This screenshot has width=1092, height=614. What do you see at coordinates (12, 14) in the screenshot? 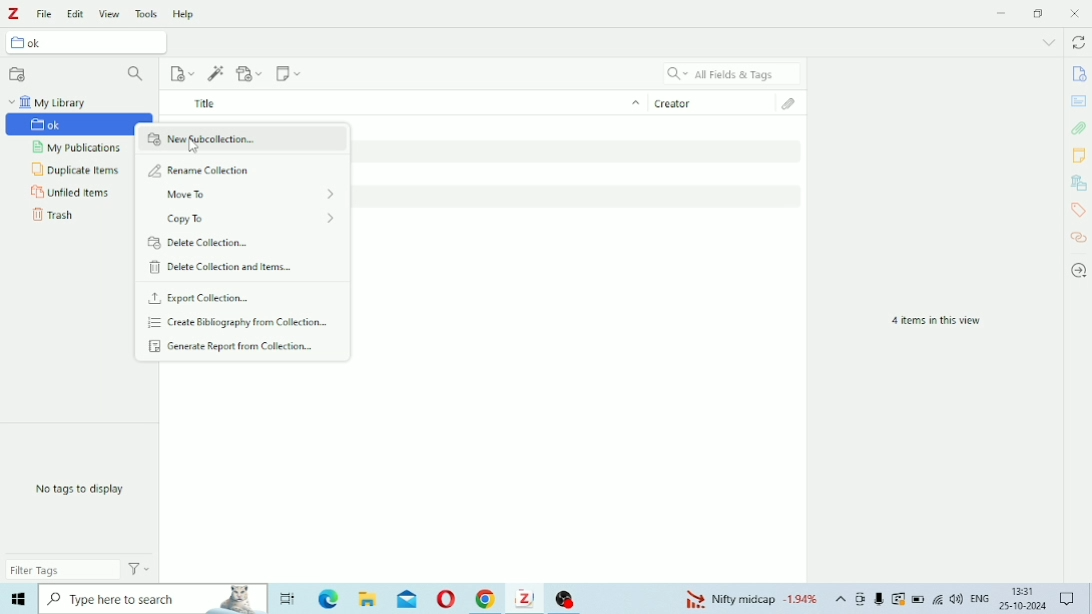
I see `Logo` at bounding box center [12, 14].